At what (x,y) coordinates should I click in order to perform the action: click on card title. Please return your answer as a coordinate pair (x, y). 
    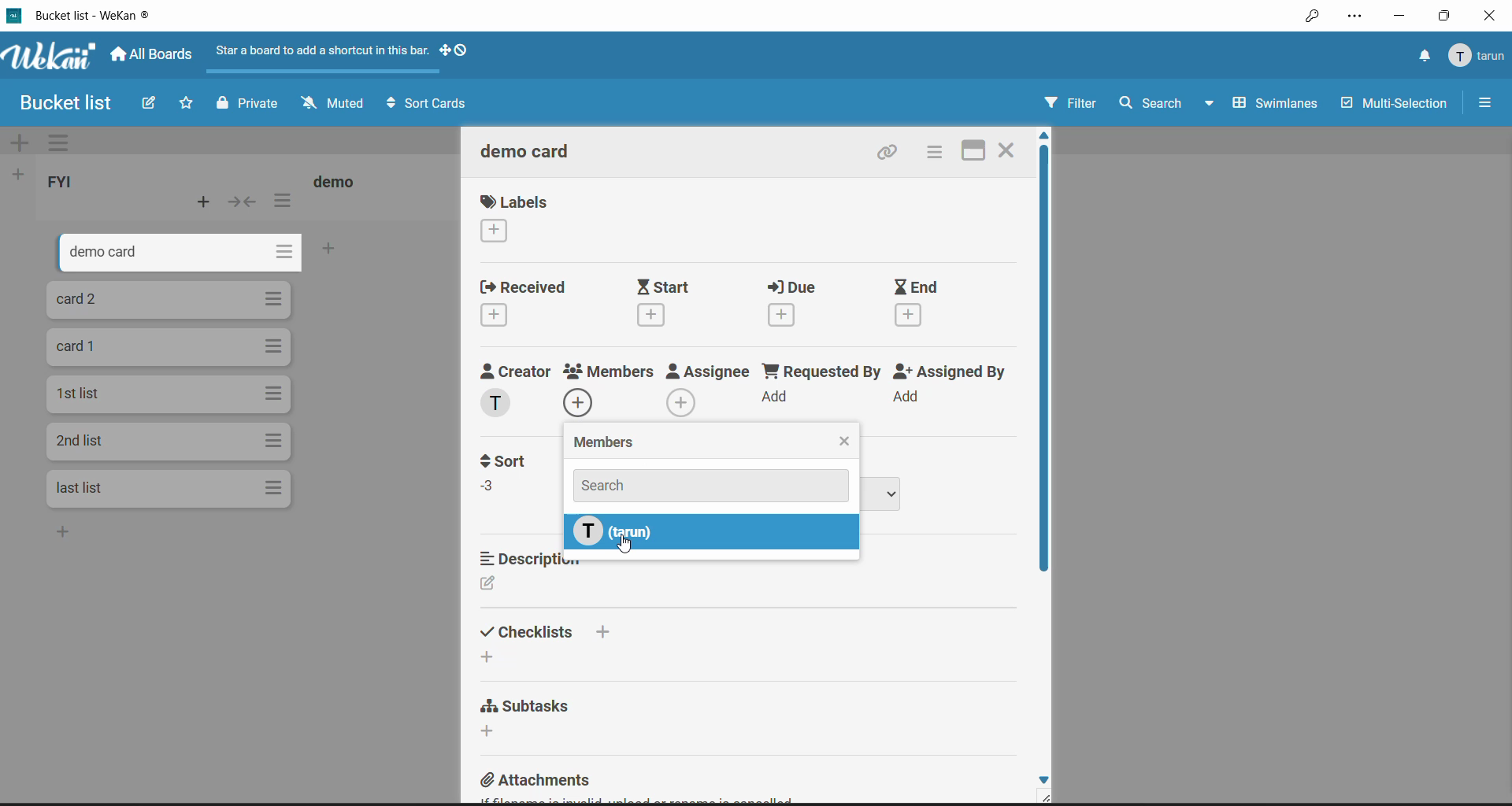
    Looking at the image, I should click on (79, 346).